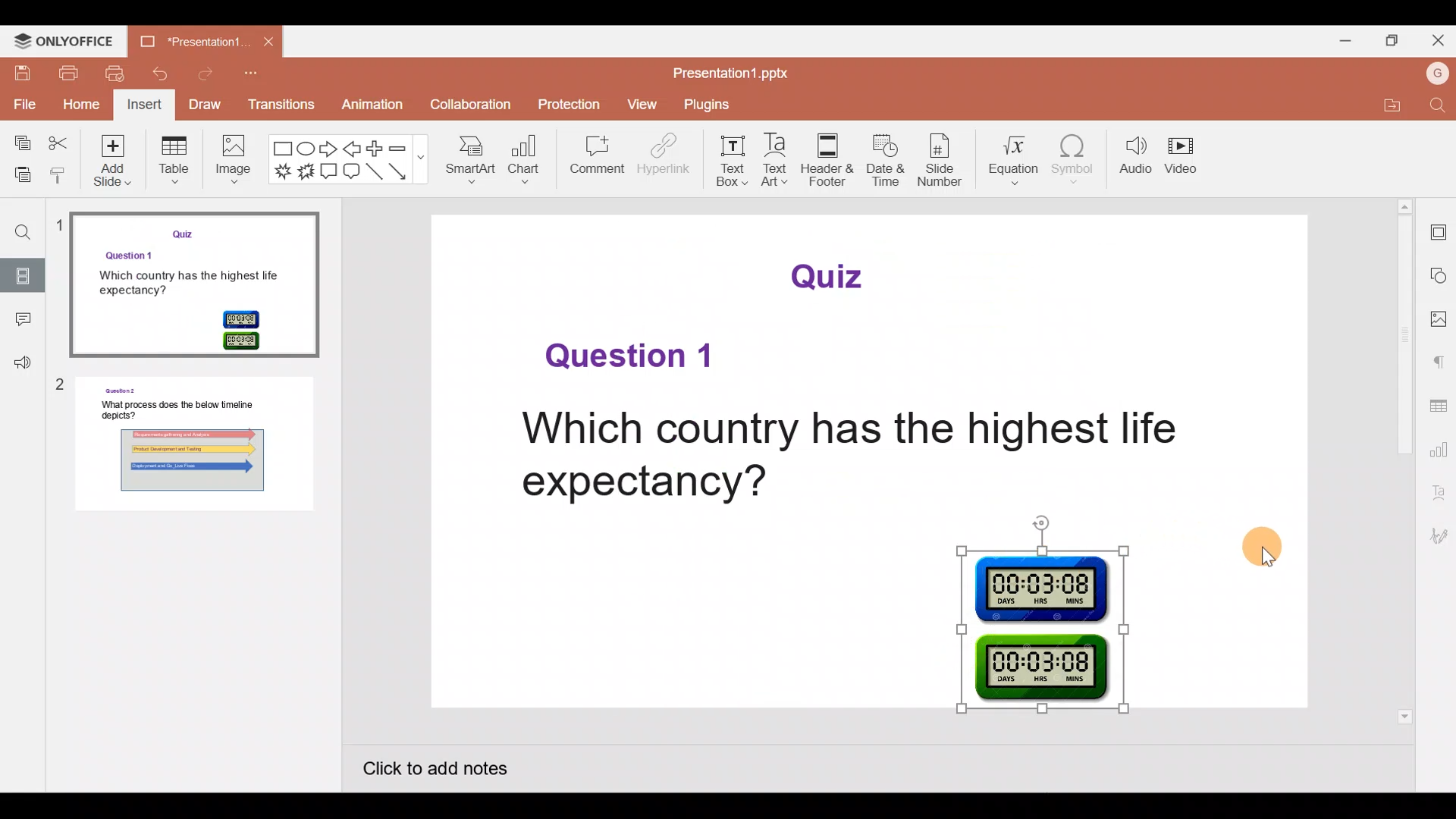  Describe the element at coordinates (24, 76) in the screenshot. I see `Save` at that location.